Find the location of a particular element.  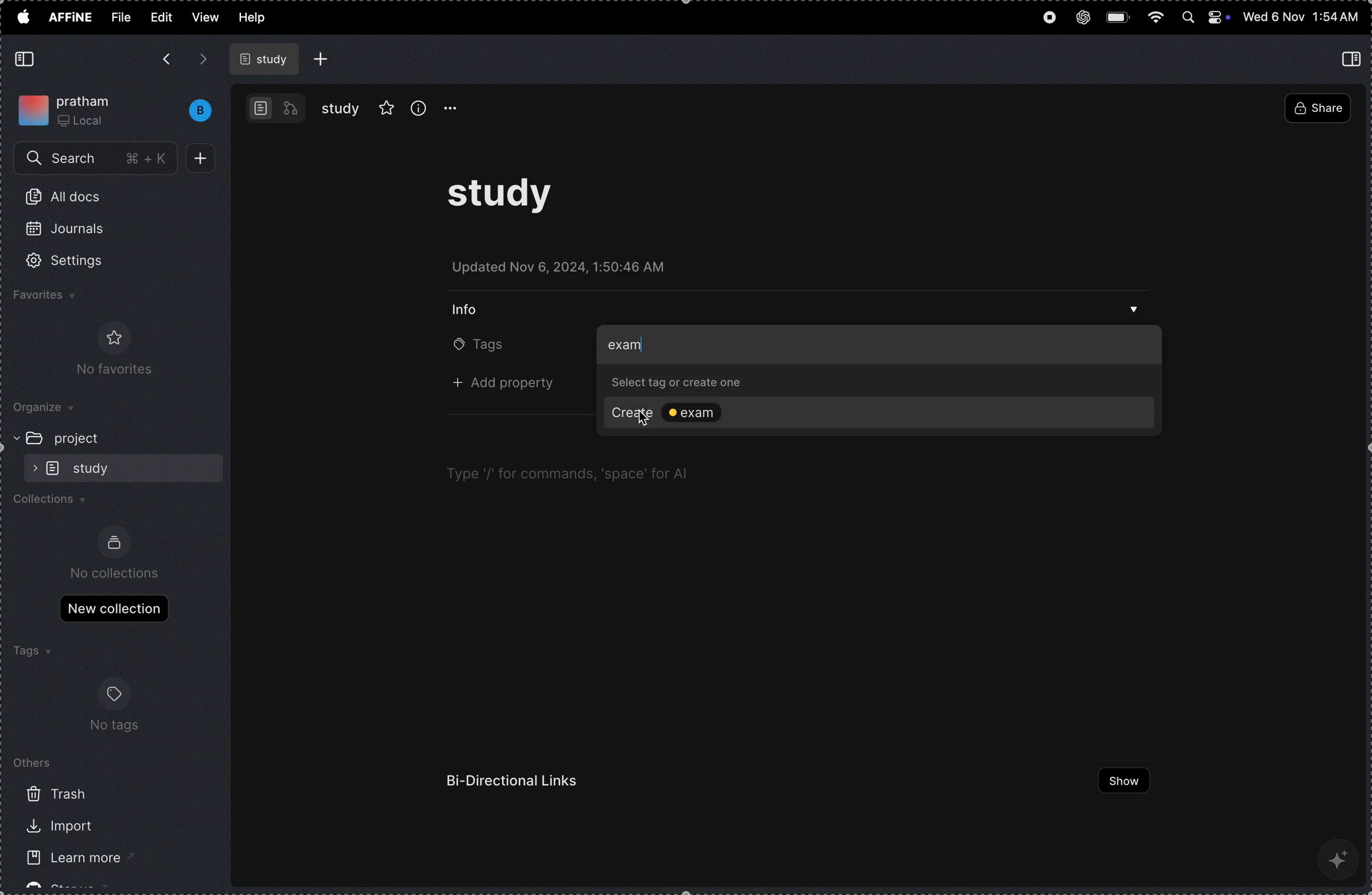

my work space is located at coordinates (69, 108).